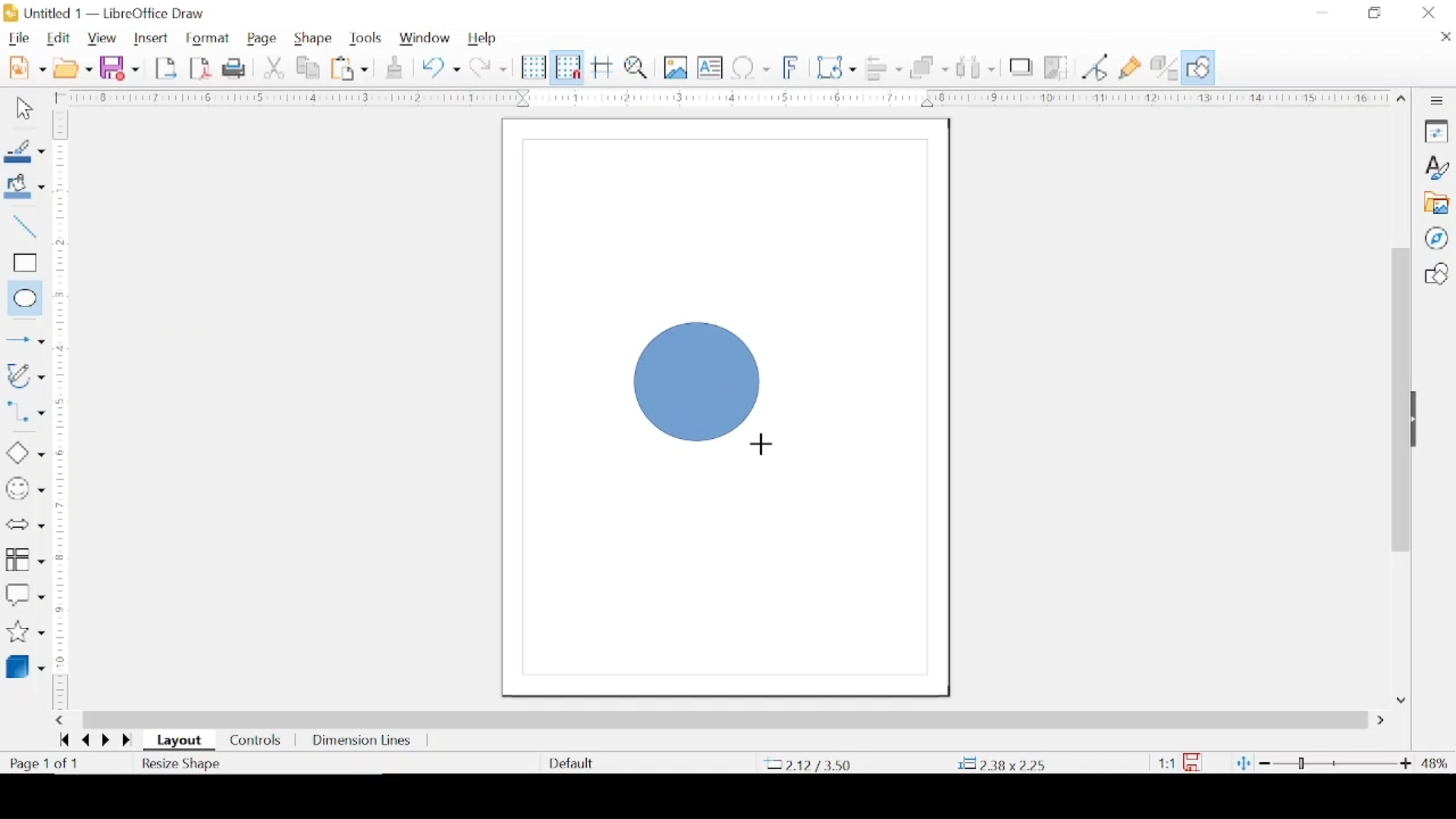 The height and width of the screenshot is (819, 1456). I want to click on paste, so click(351, 69).